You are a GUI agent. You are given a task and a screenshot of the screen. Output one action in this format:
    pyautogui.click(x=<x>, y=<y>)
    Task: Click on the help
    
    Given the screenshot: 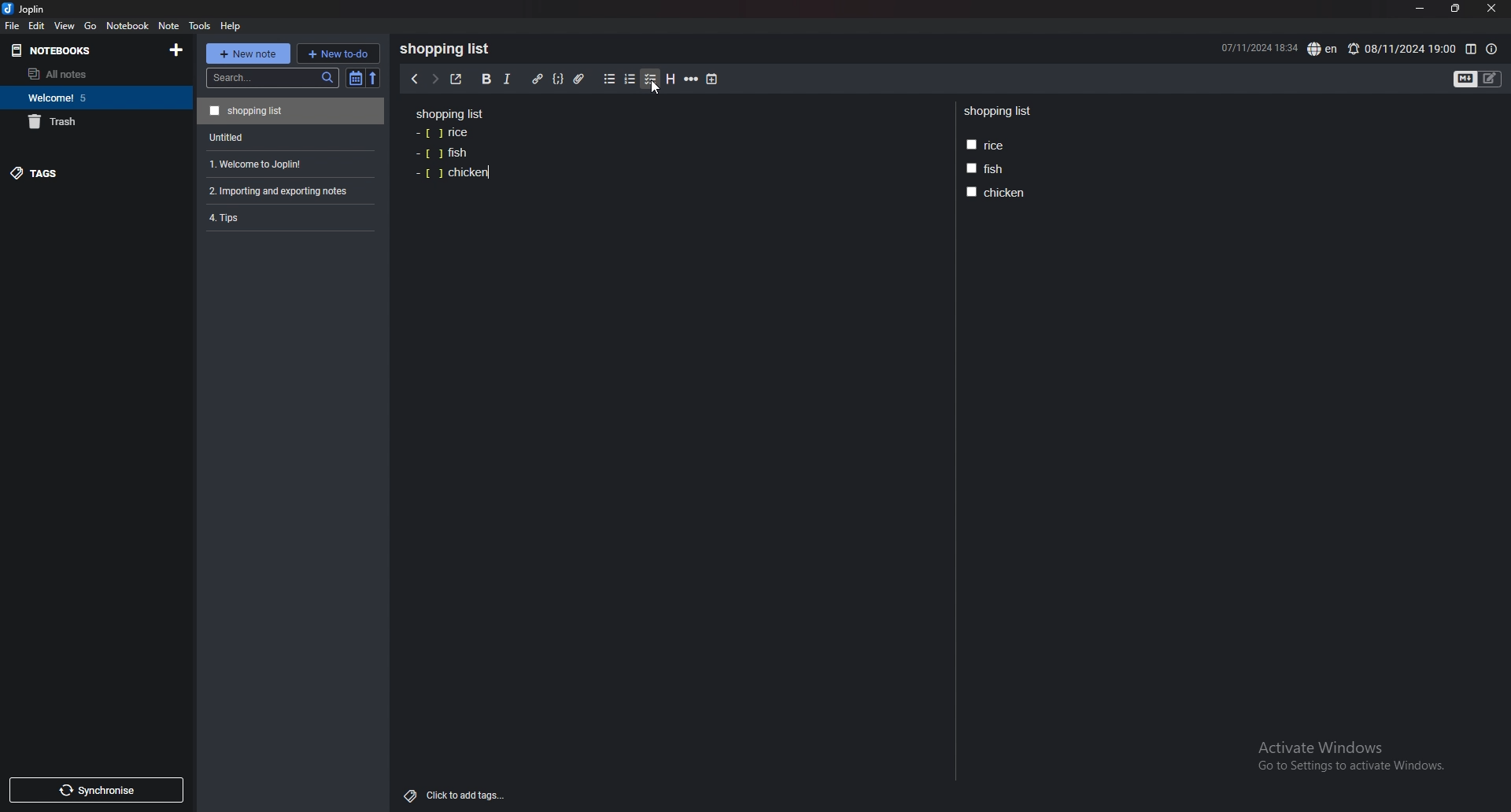 What is the action you would take?
    pyautogui.click(x=231, y=26)
    